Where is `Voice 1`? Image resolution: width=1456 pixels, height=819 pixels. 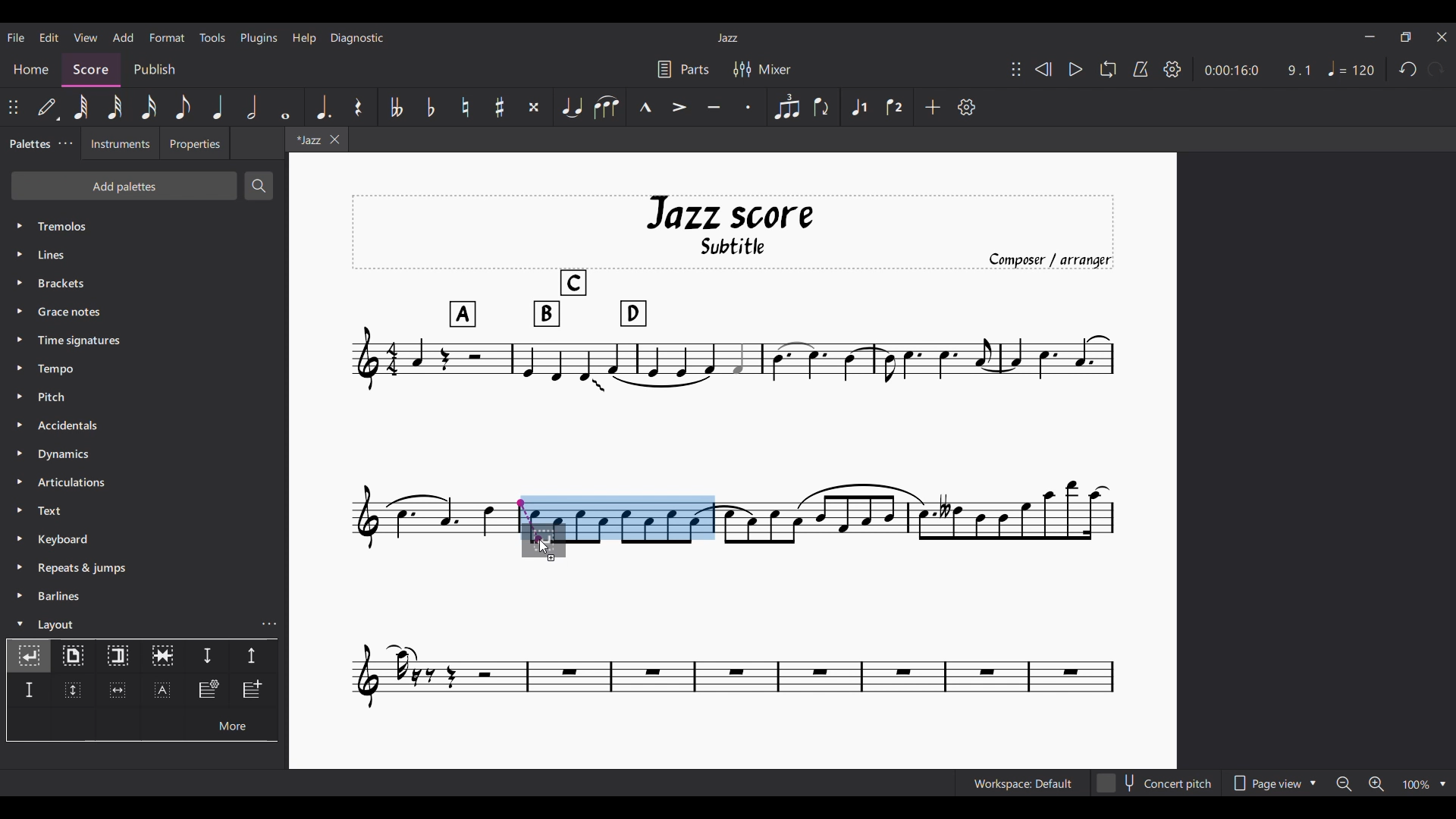
Voice 1 is located at coordinates (858, 107).